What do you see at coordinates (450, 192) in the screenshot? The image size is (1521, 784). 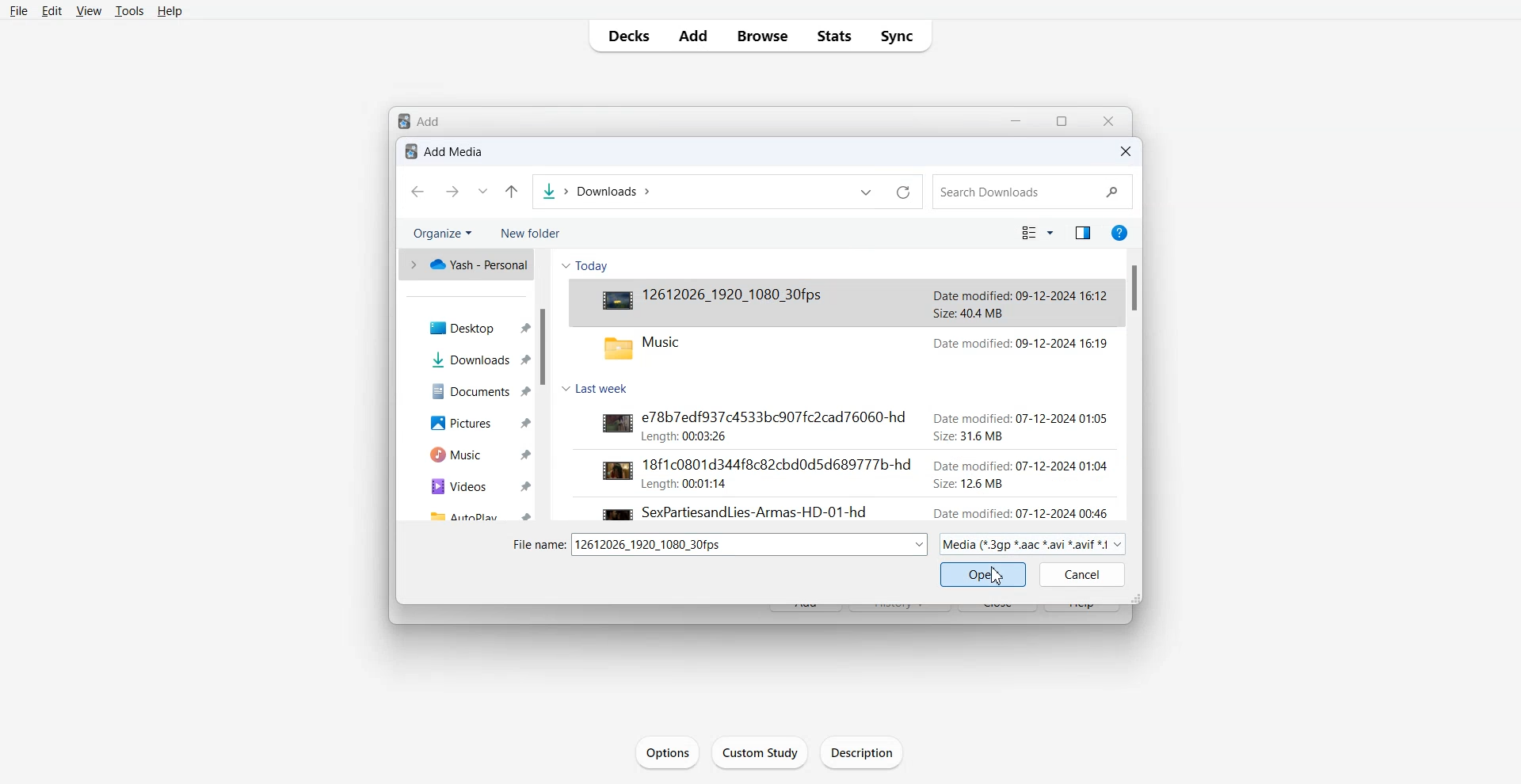 I see `Go Forward` at bounding box center [450, 192].